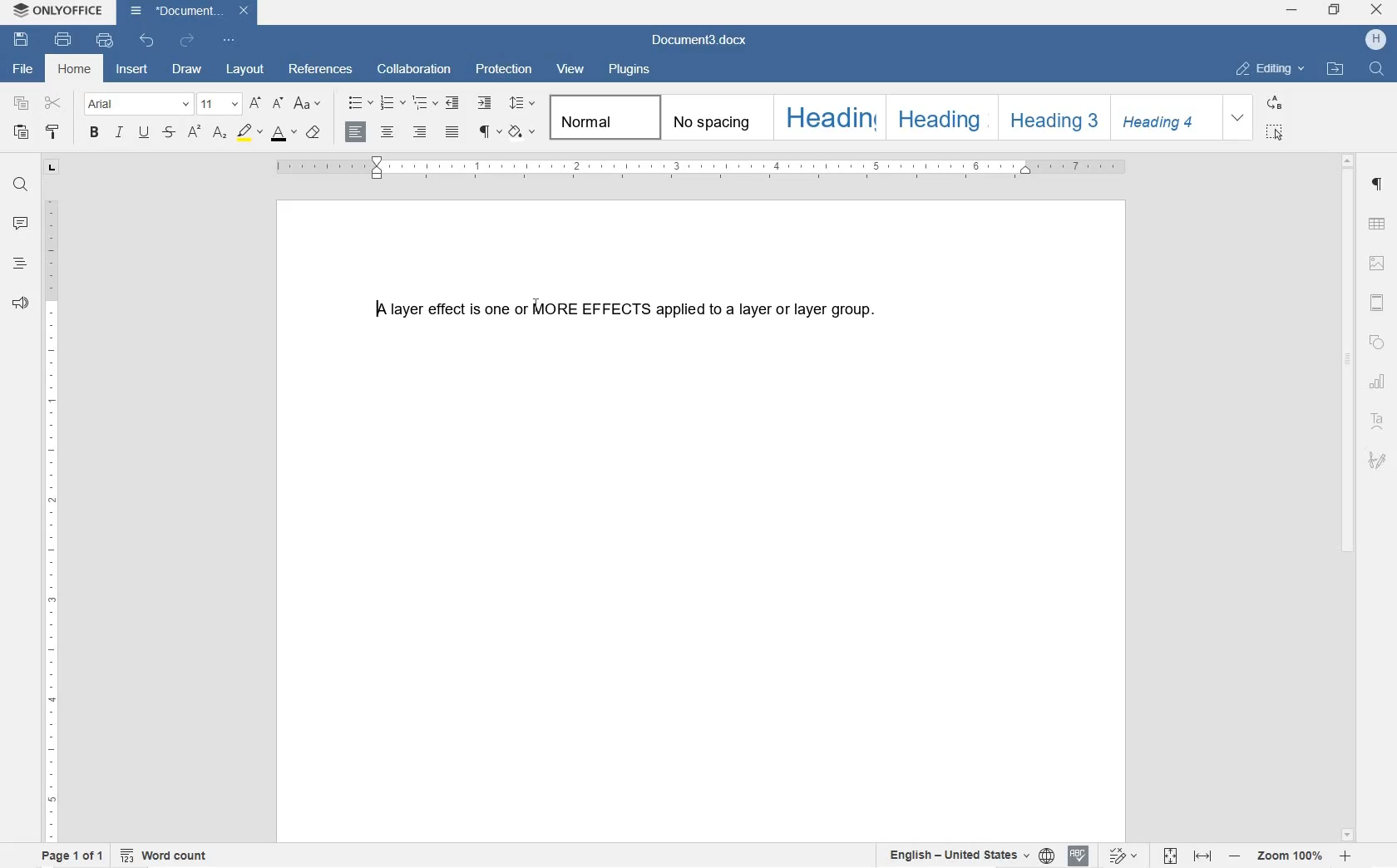 This screenshot has height=868, width=1397. What do you see at coordinates (1123, 855) in the screenshot?
I see `TRACK CHANGES` at bounding box center [1123, 855].